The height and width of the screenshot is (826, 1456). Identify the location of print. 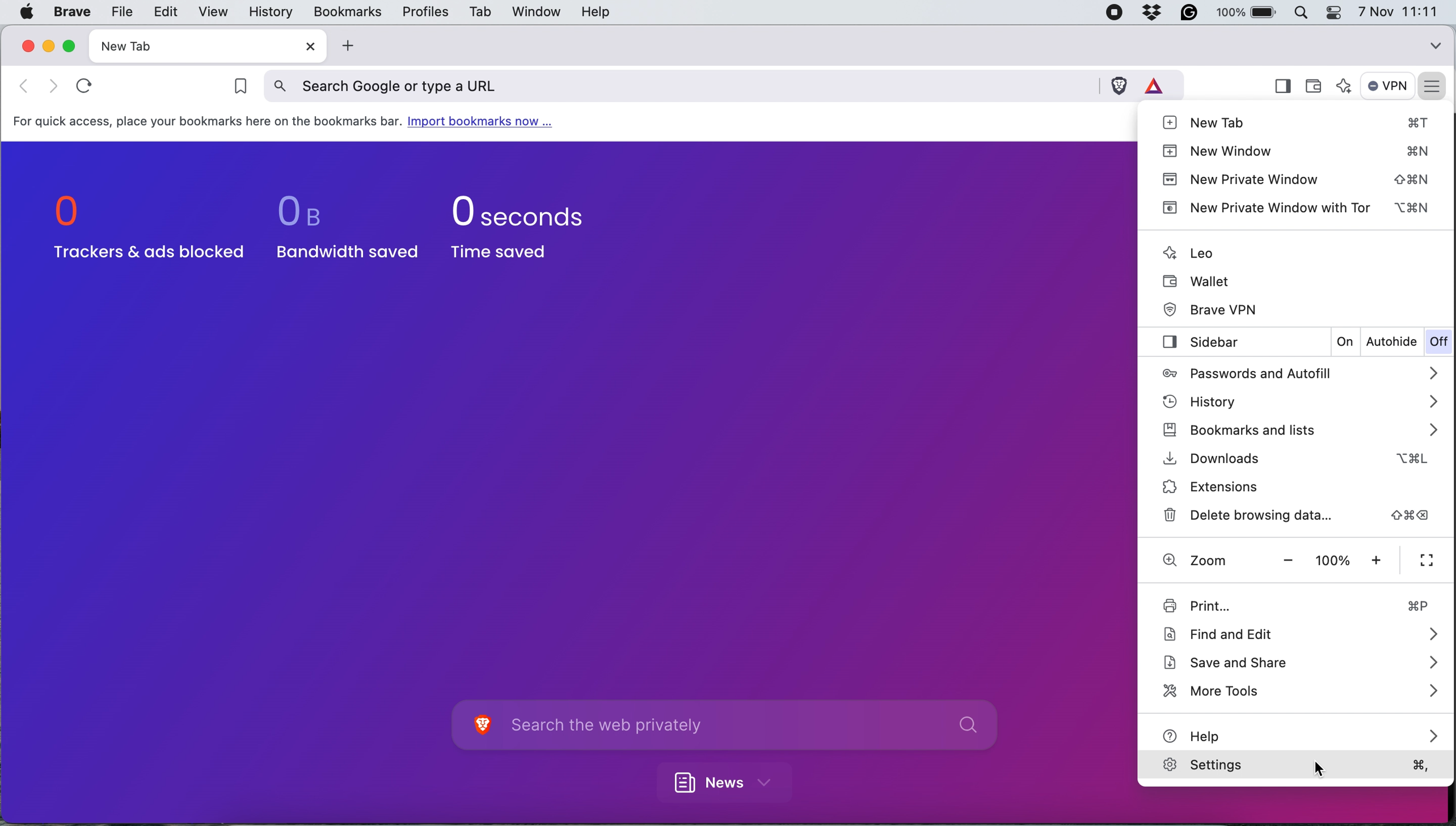
(1294, 605).